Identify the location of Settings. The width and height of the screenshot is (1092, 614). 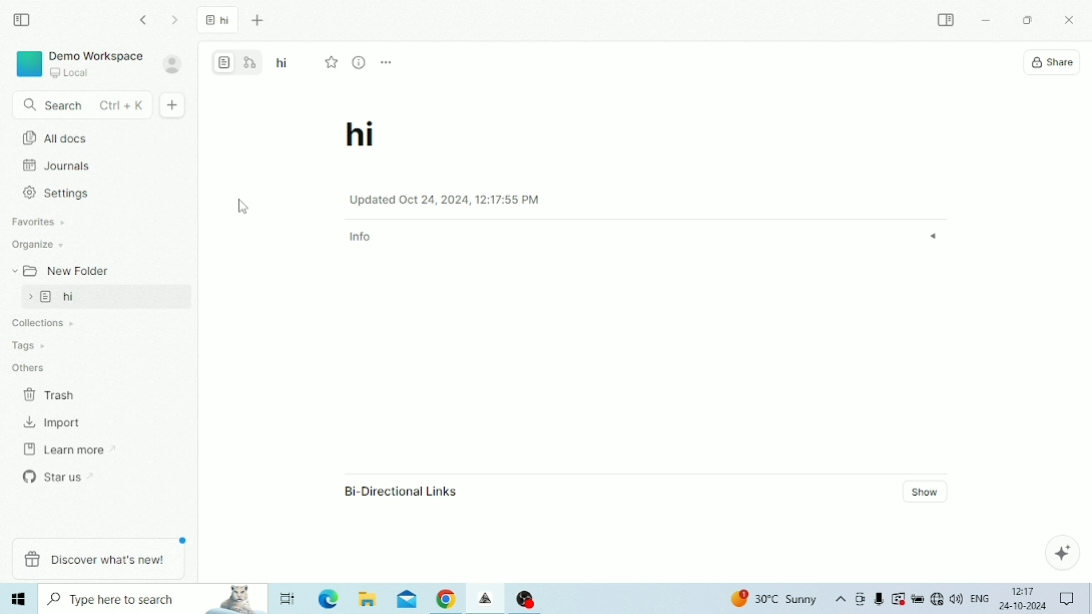
(61, 193).